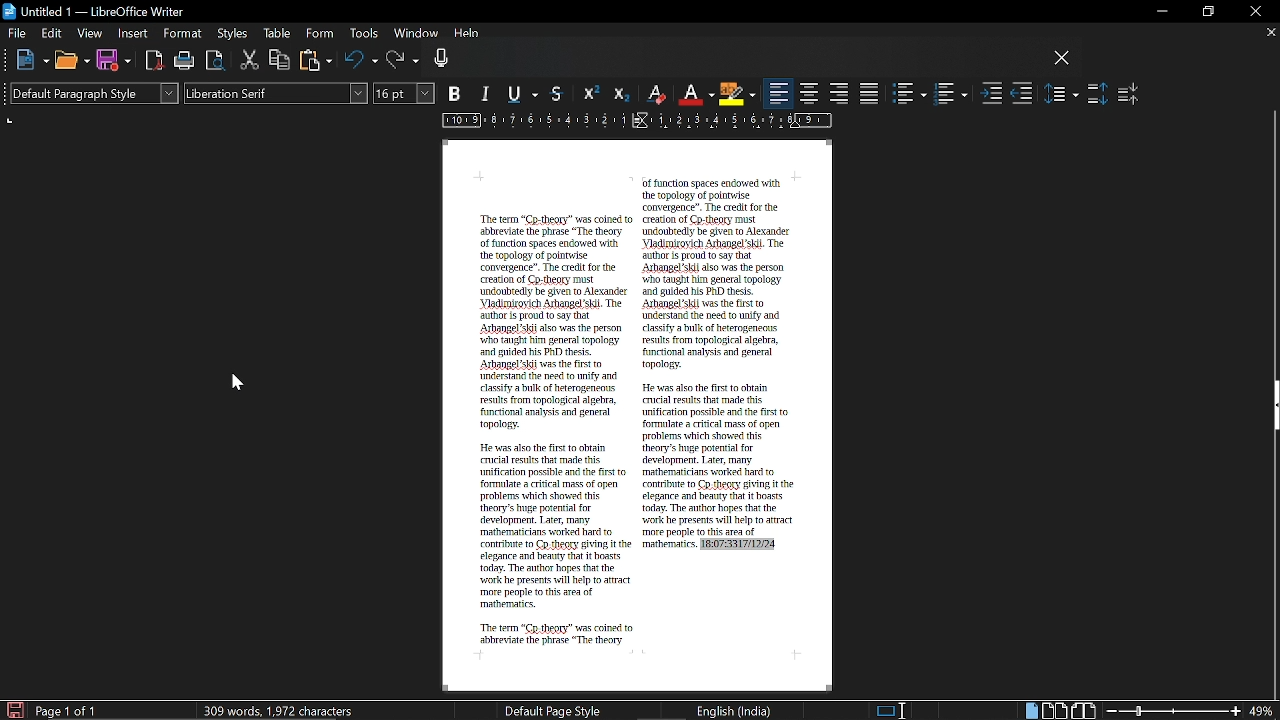  Describe the element at coordinates (589, 94) in the screenshot. I see `Superscript` at that location.